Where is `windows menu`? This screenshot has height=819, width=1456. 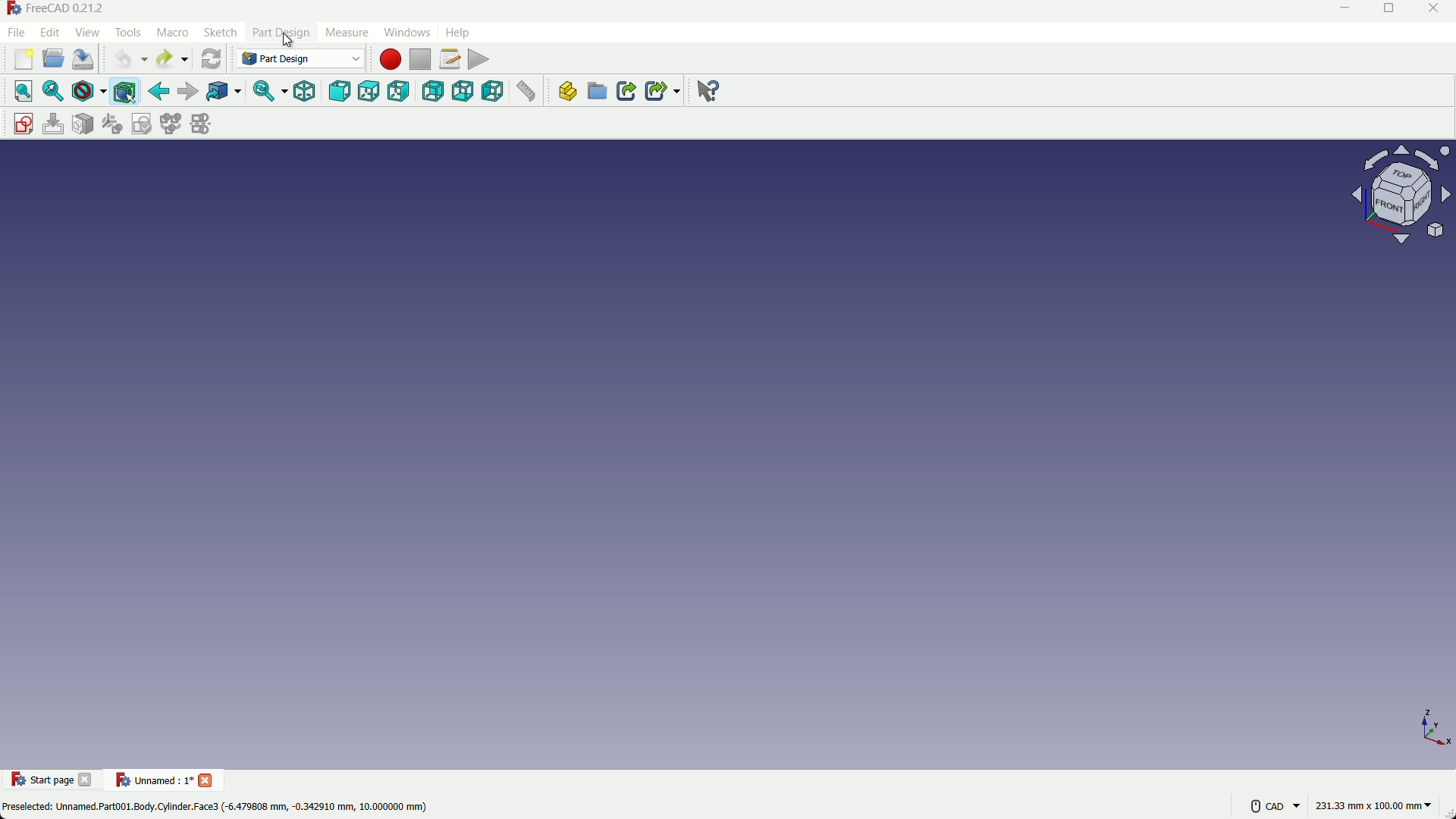
windows menu is located at coordinates (406, 32).